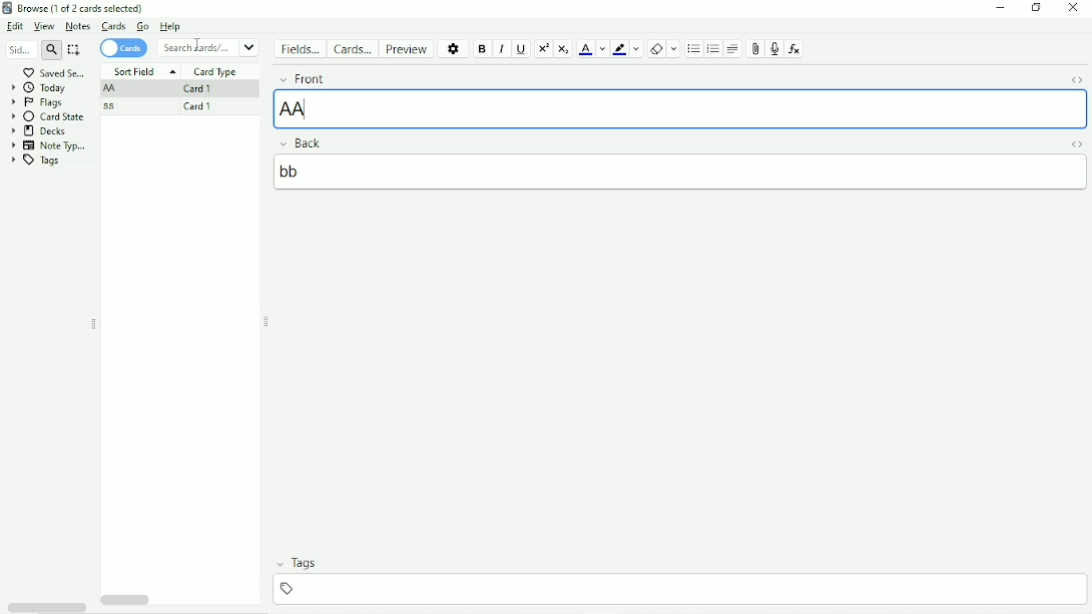  I want to click on edit front, so click(682, 108).